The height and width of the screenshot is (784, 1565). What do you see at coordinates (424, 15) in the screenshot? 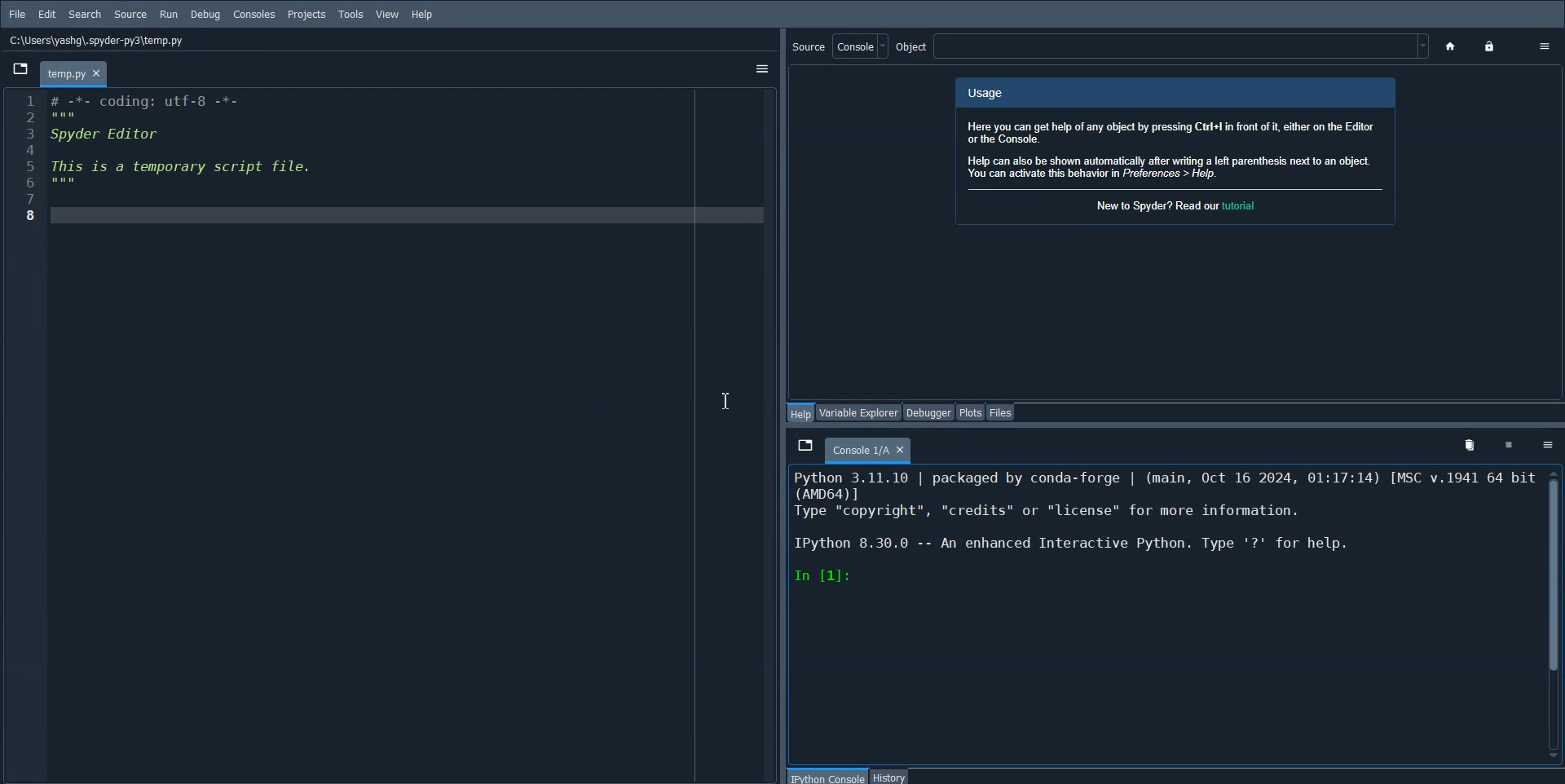
I see `Help` at bounding box center [424, 15].